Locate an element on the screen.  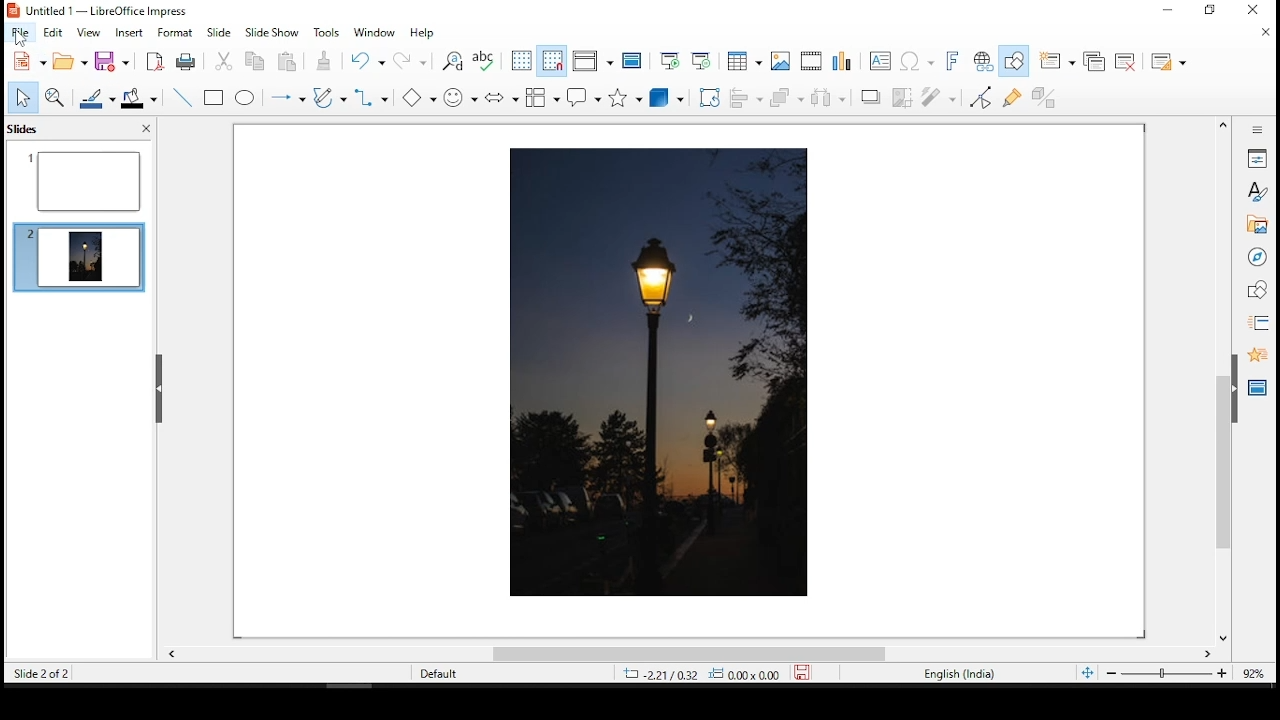
snap to grids is located at coordinates (551, 61).